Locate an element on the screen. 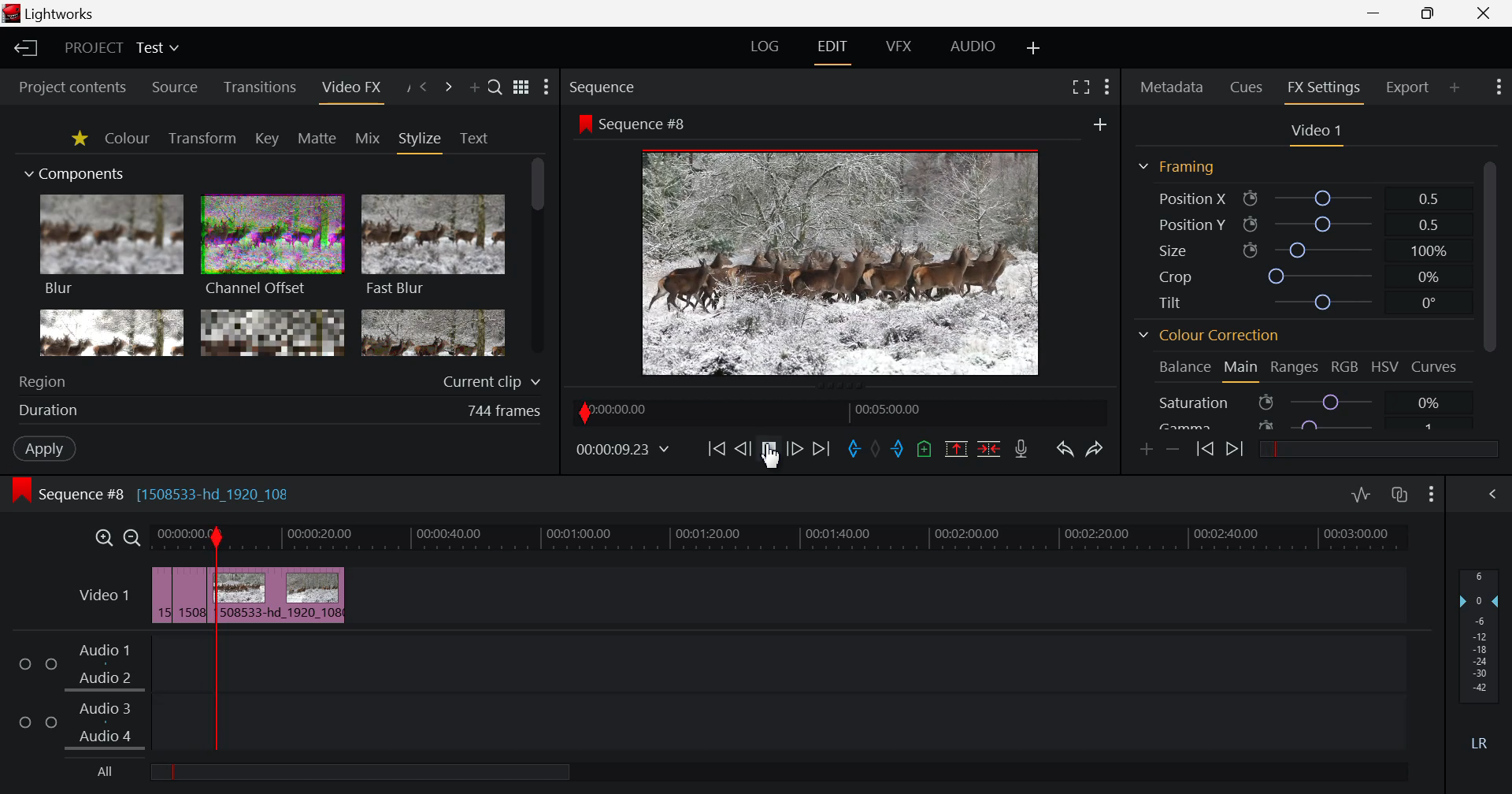 The image size is (1512, 794). Duration is located at coordinates (282, 410).